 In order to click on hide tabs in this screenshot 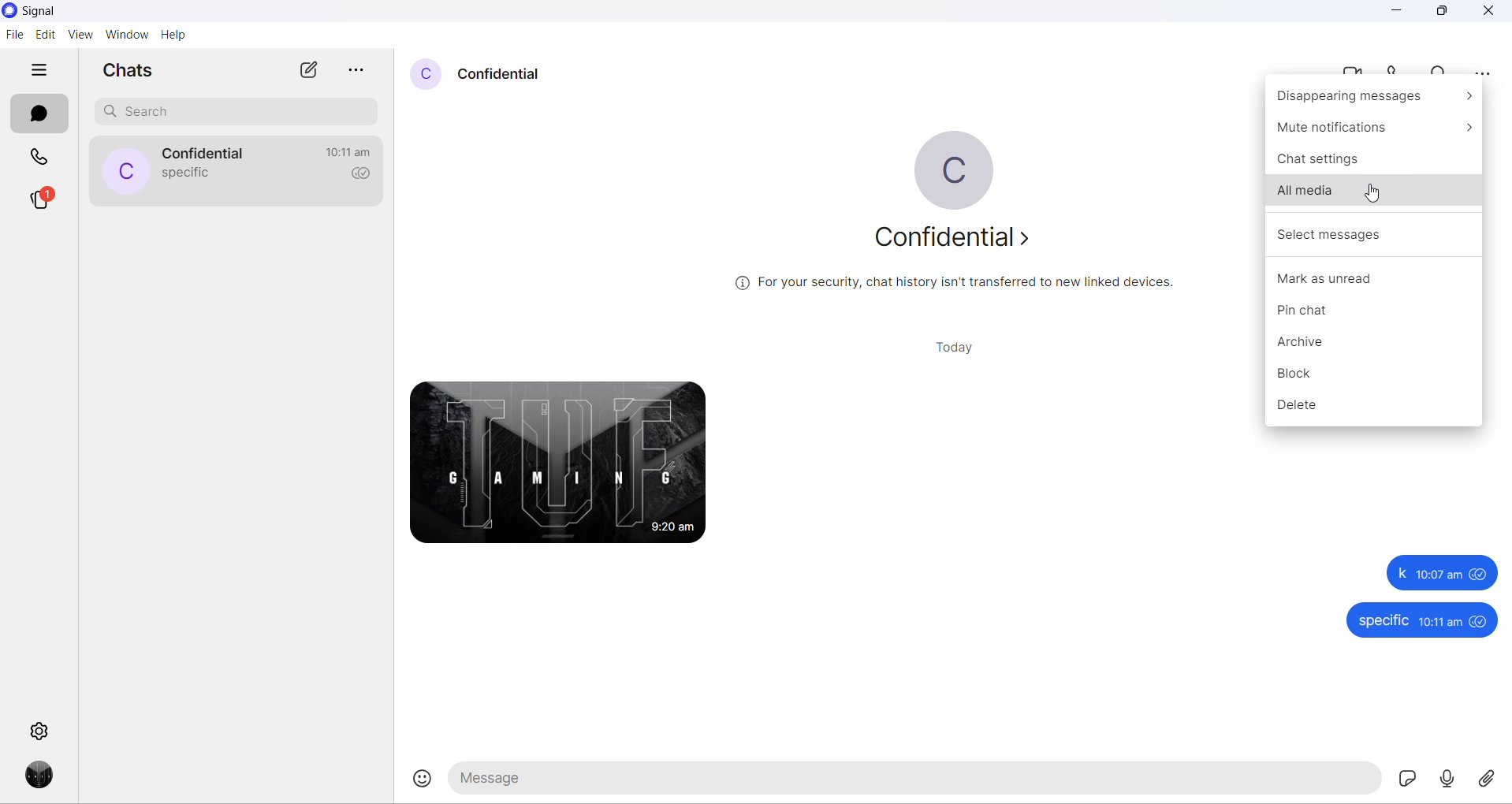, I will do `click(39, 73)`.